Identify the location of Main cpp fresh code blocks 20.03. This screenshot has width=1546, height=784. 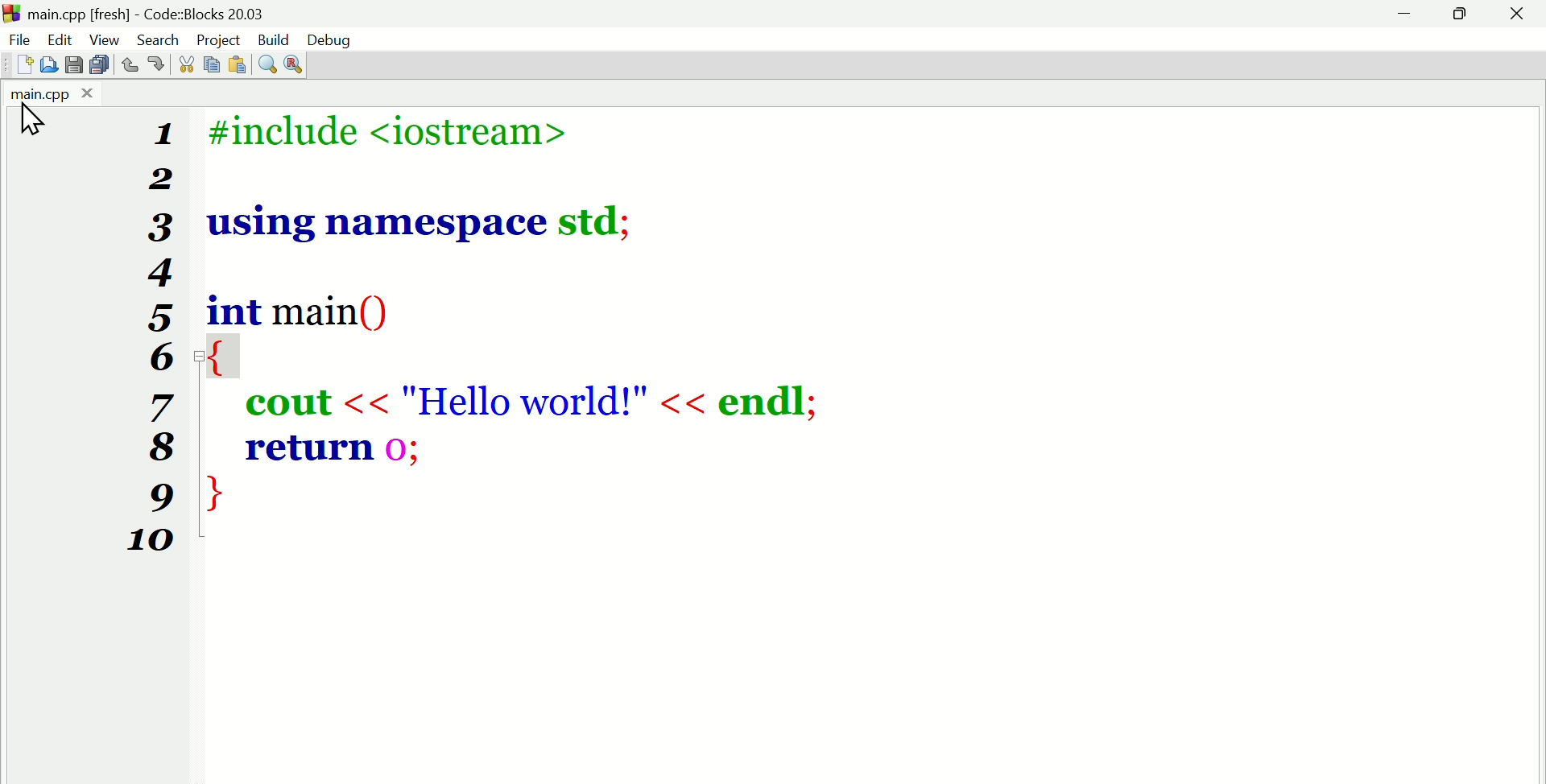
(189, 13).